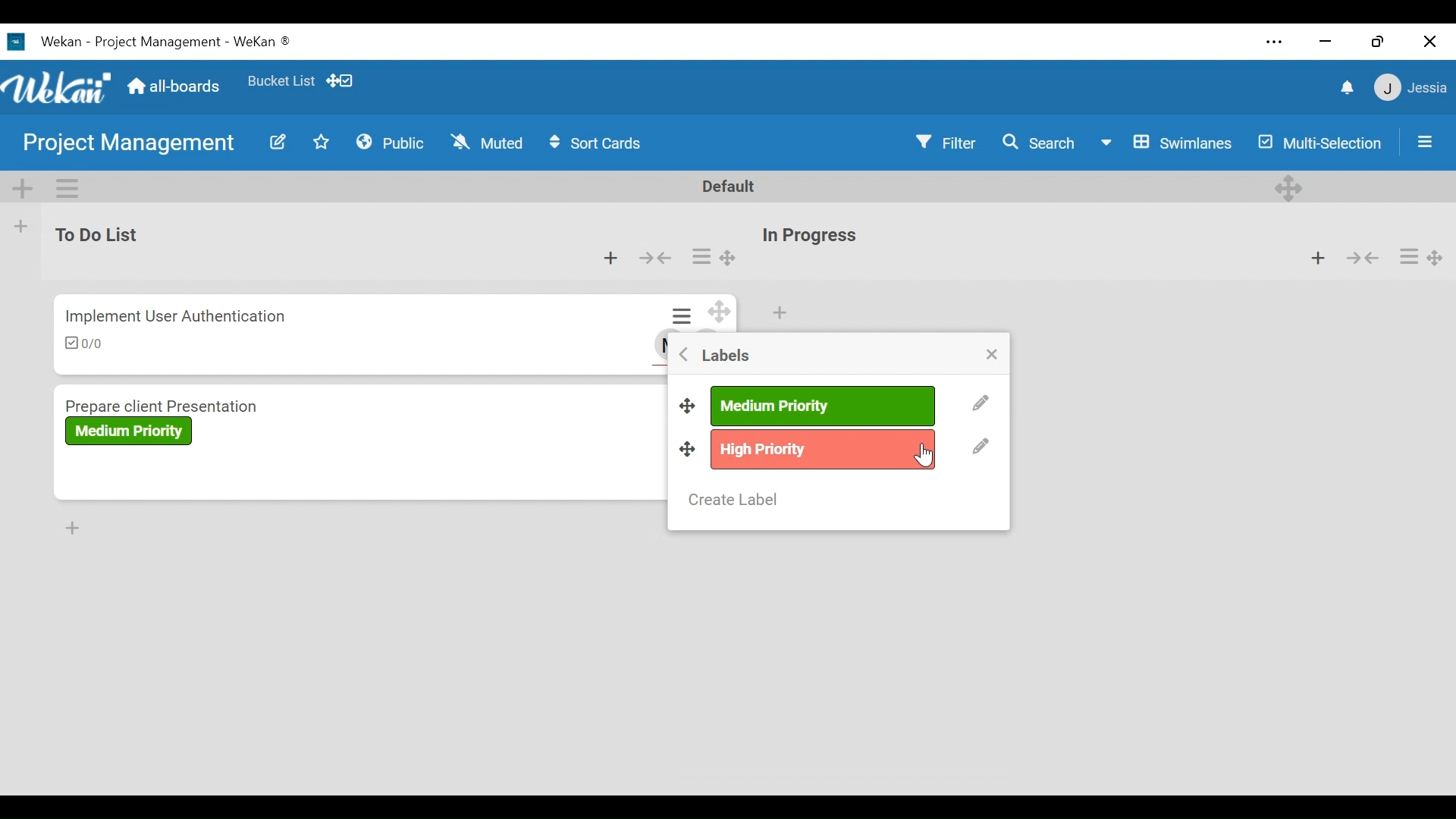 Image resolution: width=1456 pixels, height=819 pixels. I want to click on Cursor, so click(927, 457).